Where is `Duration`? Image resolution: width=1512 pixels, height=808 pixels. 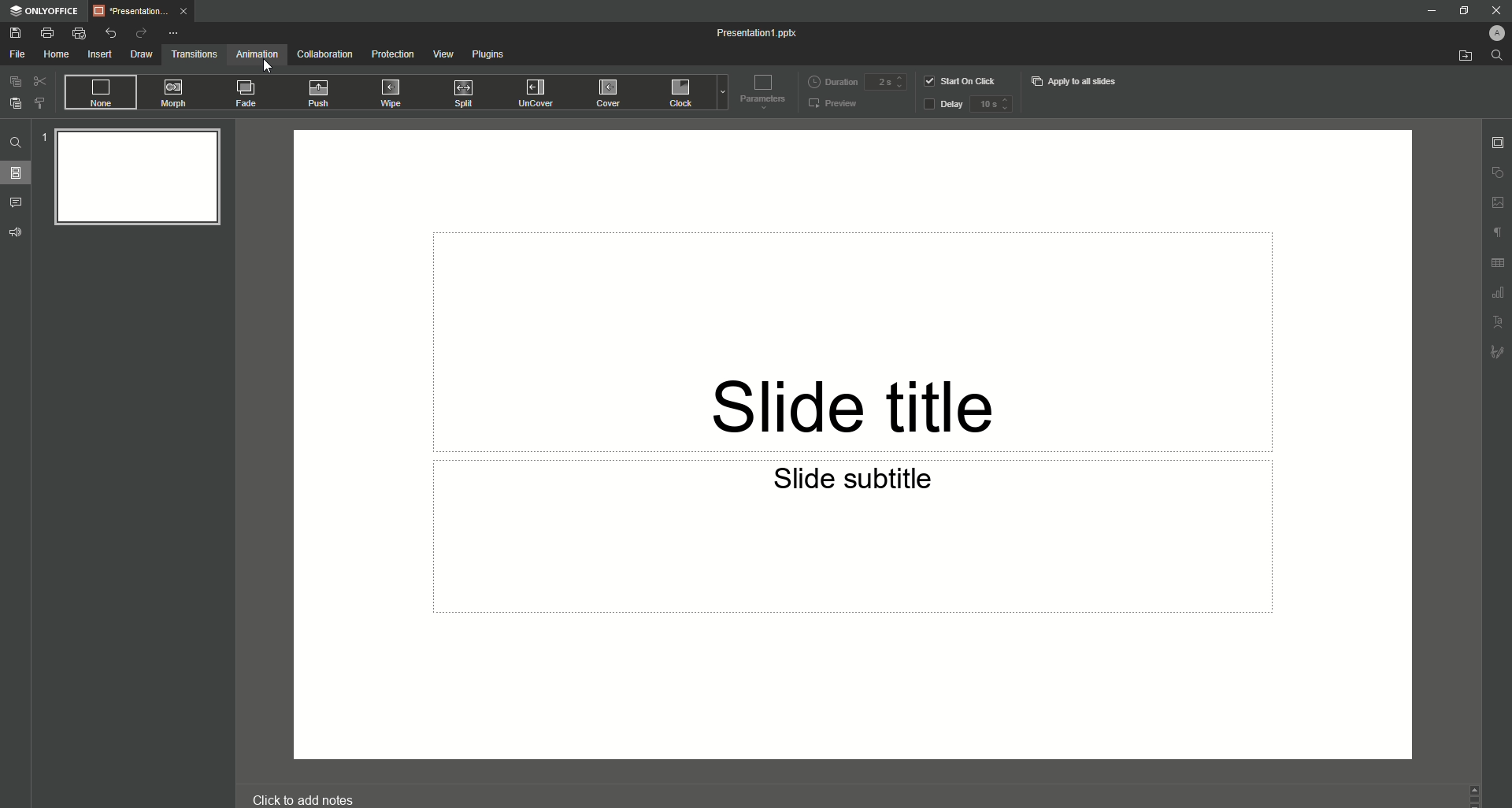
Duration is located at coordinates (855, 83).